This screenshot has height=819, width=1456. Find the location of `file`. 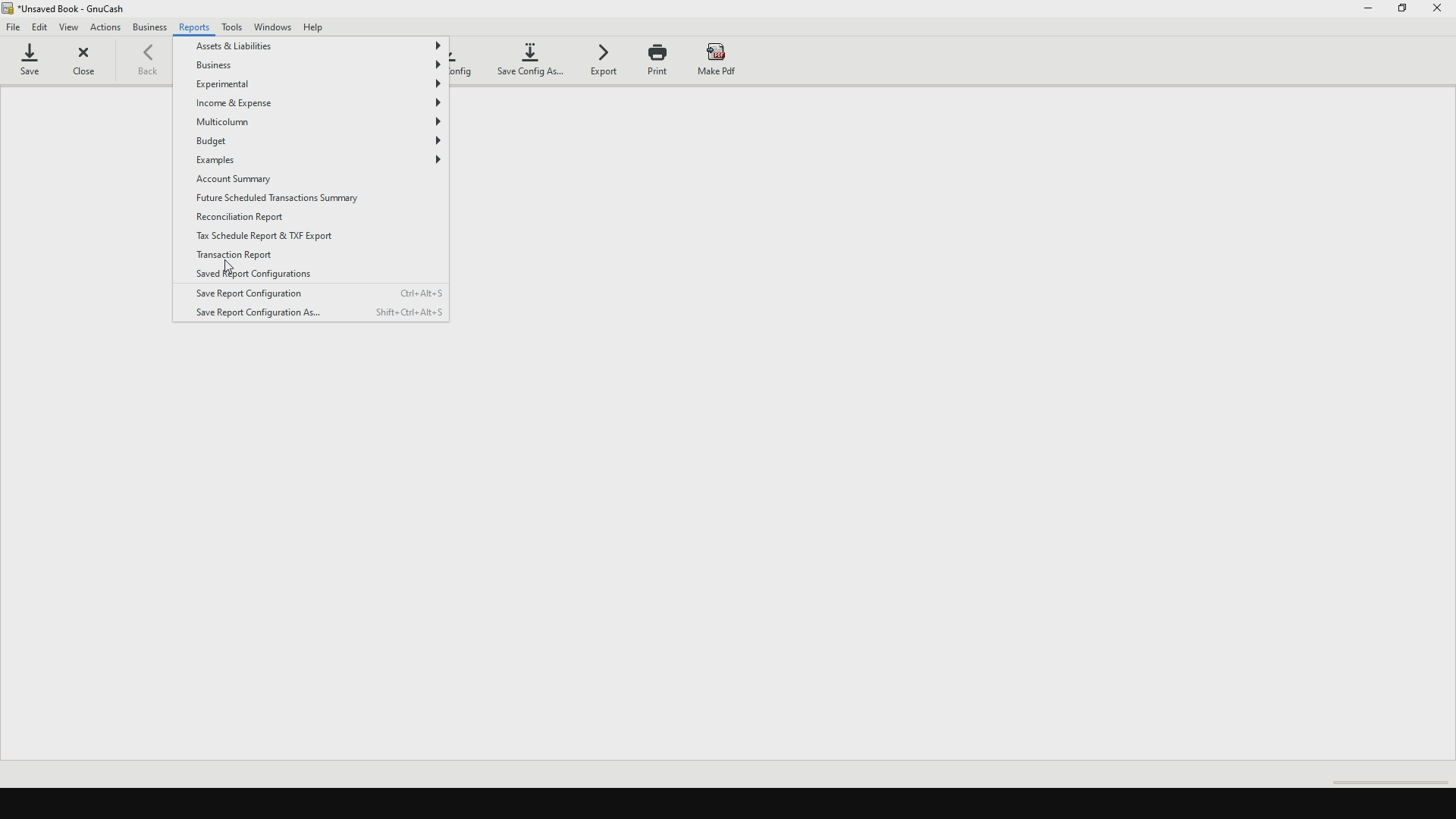

file is located at coordinates (14, 30).